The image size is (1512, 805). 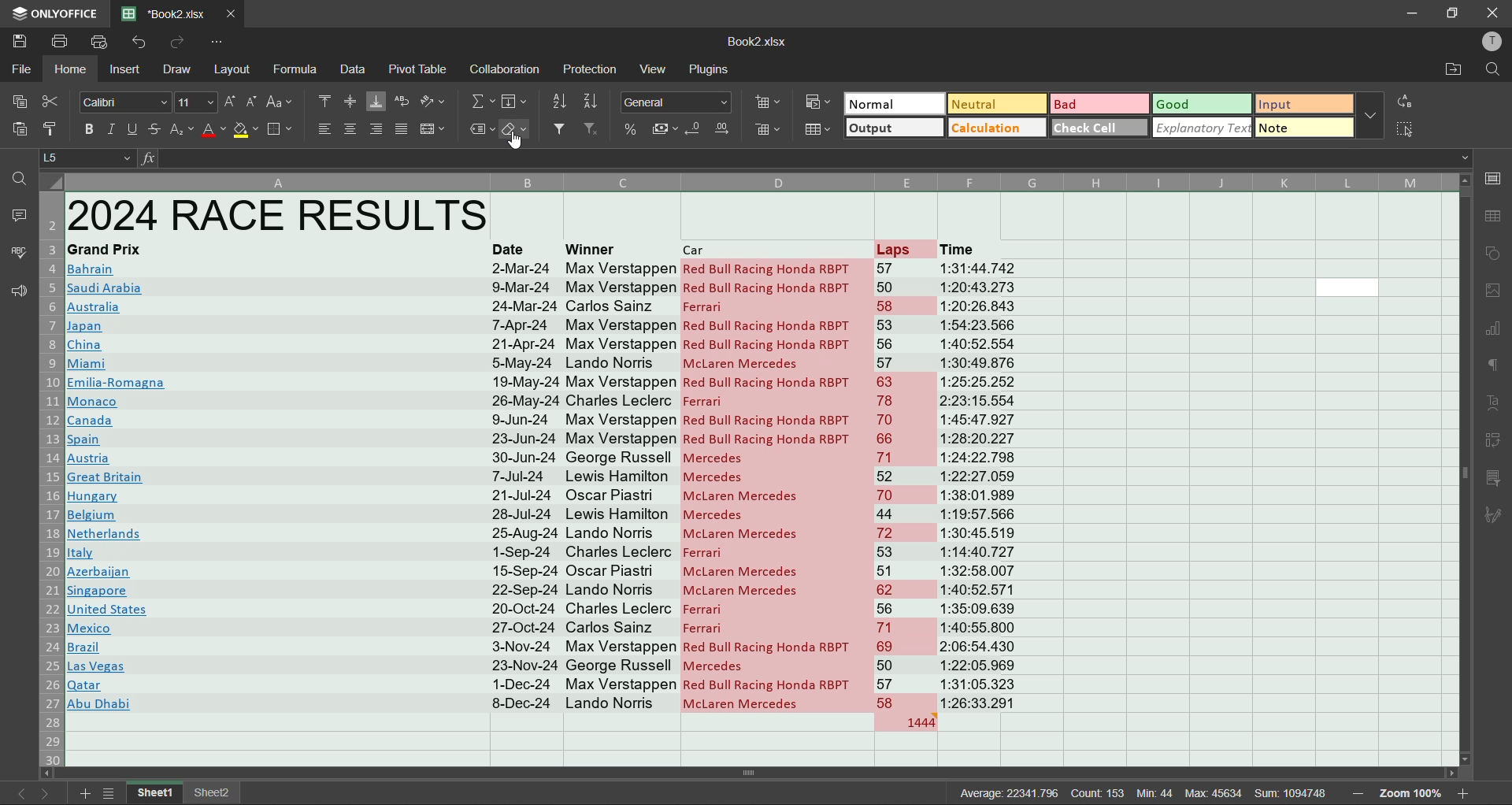 I want to click on align middle, so click(x=353, y=101).